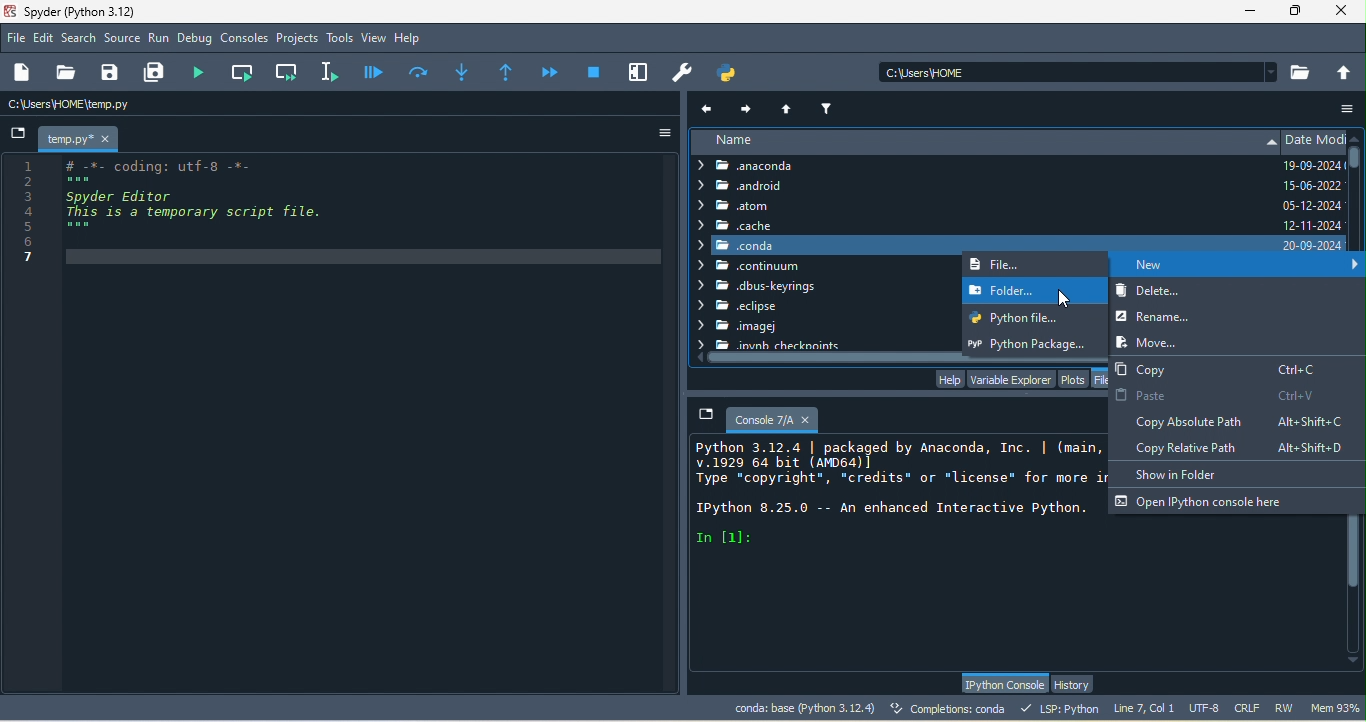 This screenshot has height=722, width=1366. Describe the element at coordinates (1354, 663) in the screenshot. I see `scroll down` at that location.